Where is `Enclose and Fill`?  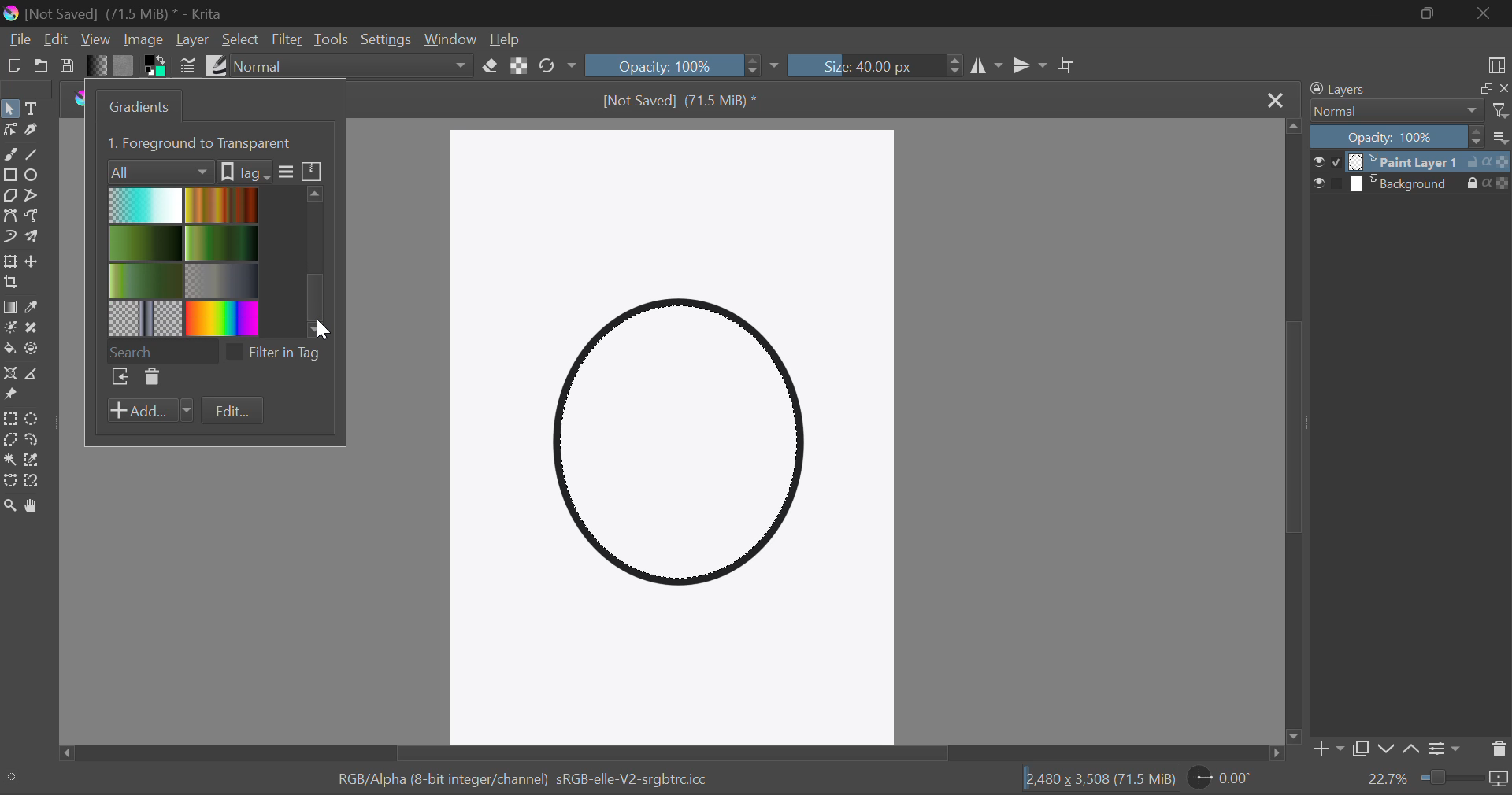 Enclose and Fill is located at coordinates (37, 349).